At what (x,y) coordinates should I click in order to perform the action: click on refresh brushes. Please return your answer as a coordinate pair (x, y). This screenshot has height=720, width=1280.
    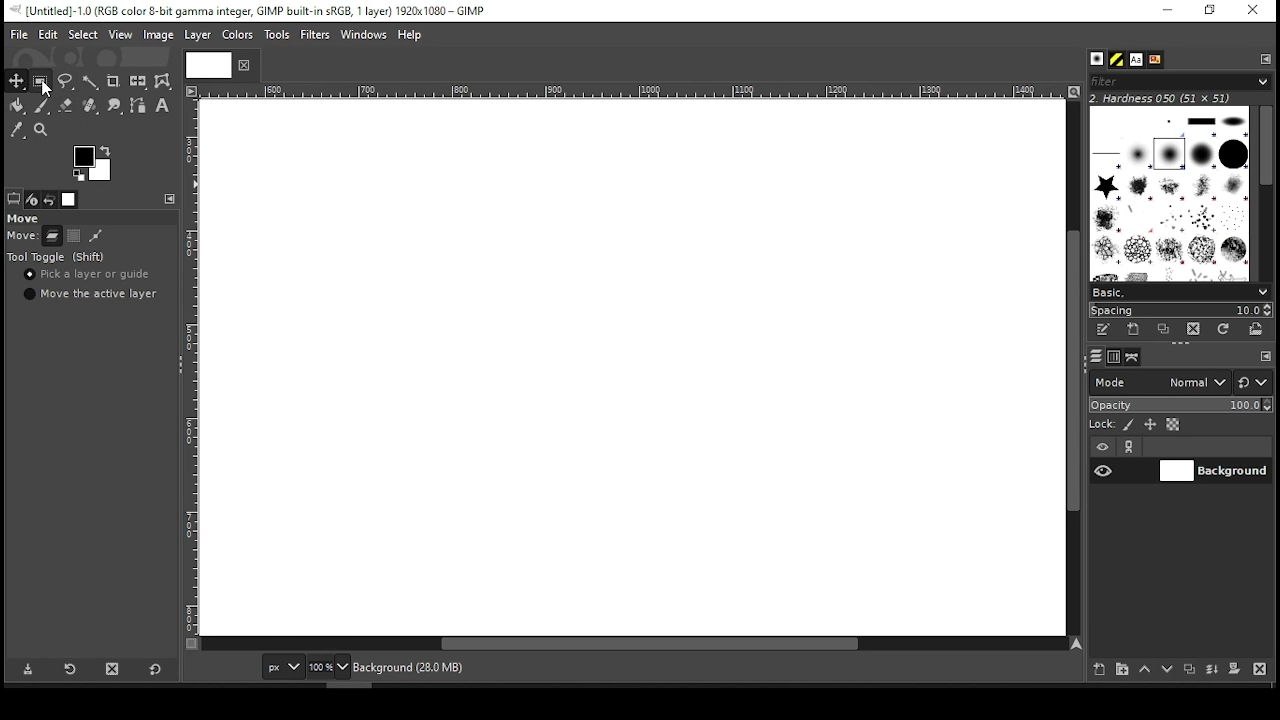
    Looking at the image, I should click on (1222, 331).